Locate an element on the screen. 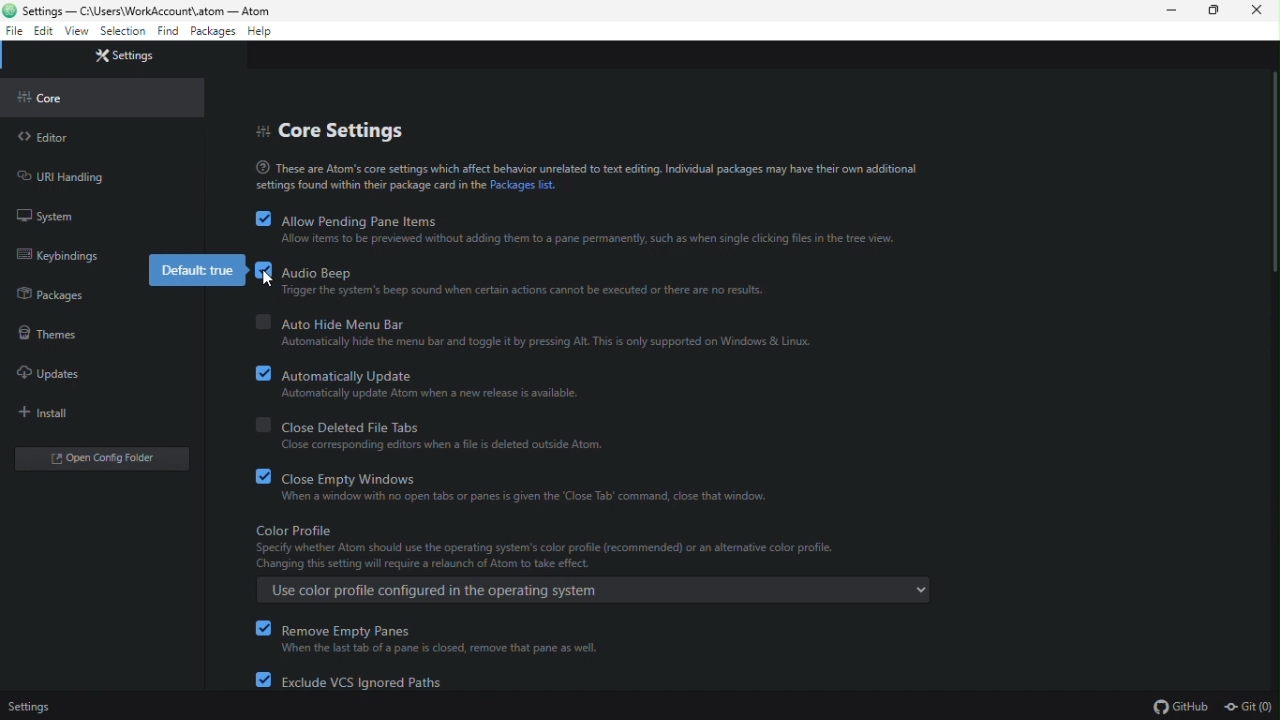 Image resolution: width=1280 pixels, height=720 pixels. themes is located at coordinates (48, 334).